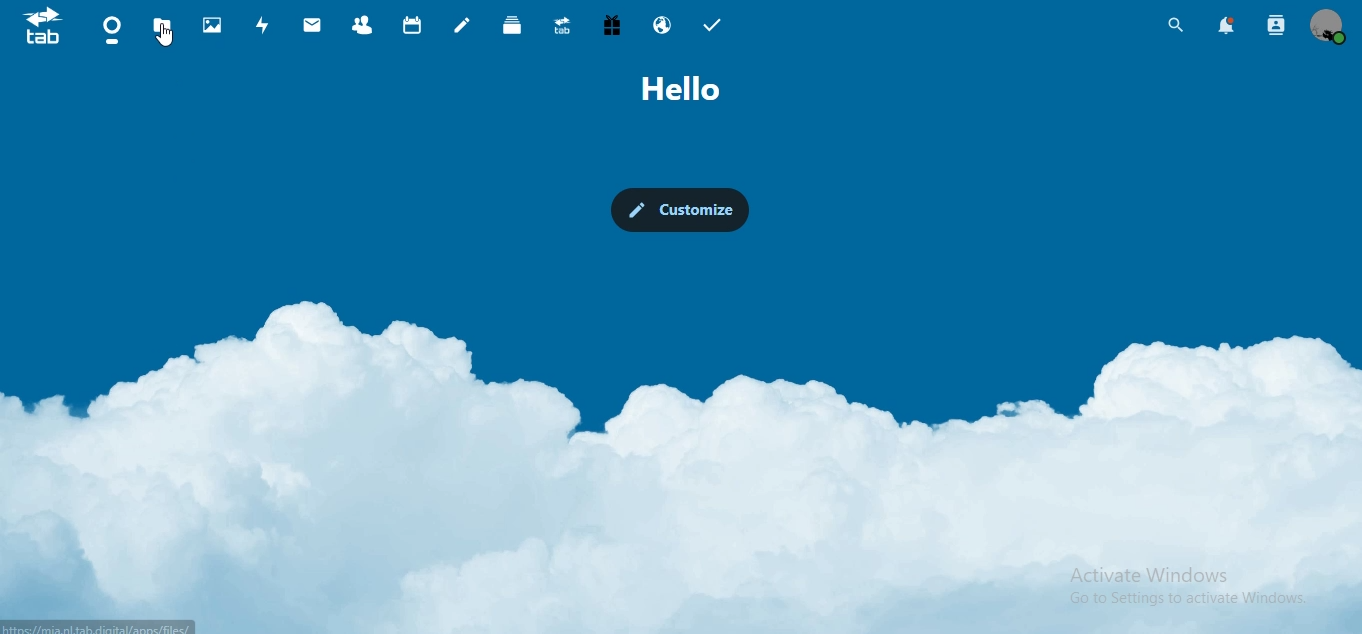  What do you see at coordinates (265, 27) in the screenshot?
I see `activity` at bounding box center [265, 27].